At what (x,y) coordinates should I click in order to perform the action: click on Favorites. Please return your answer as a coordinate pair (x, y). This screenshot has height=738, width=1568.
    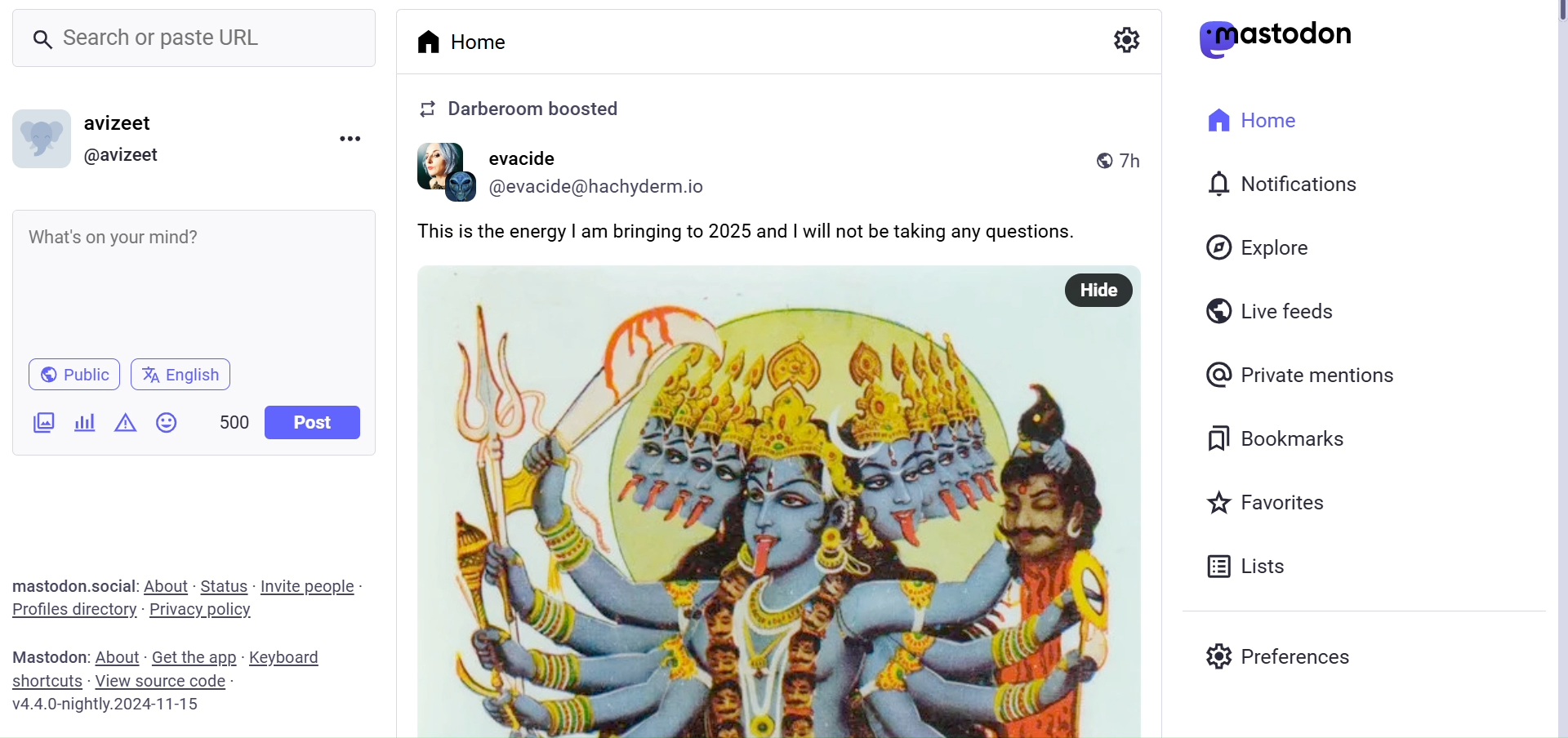
    Looking at the image, I should click on (1269, 501).